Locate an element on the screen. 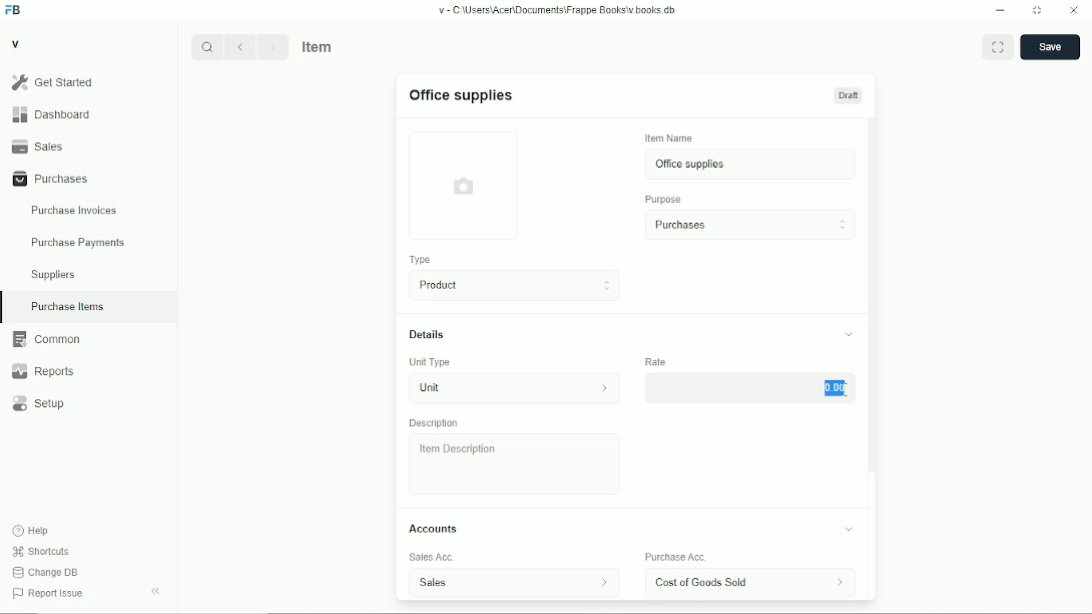 The height and width of the screenshot is (614, 1092). v is located at coordinates (17, 43).